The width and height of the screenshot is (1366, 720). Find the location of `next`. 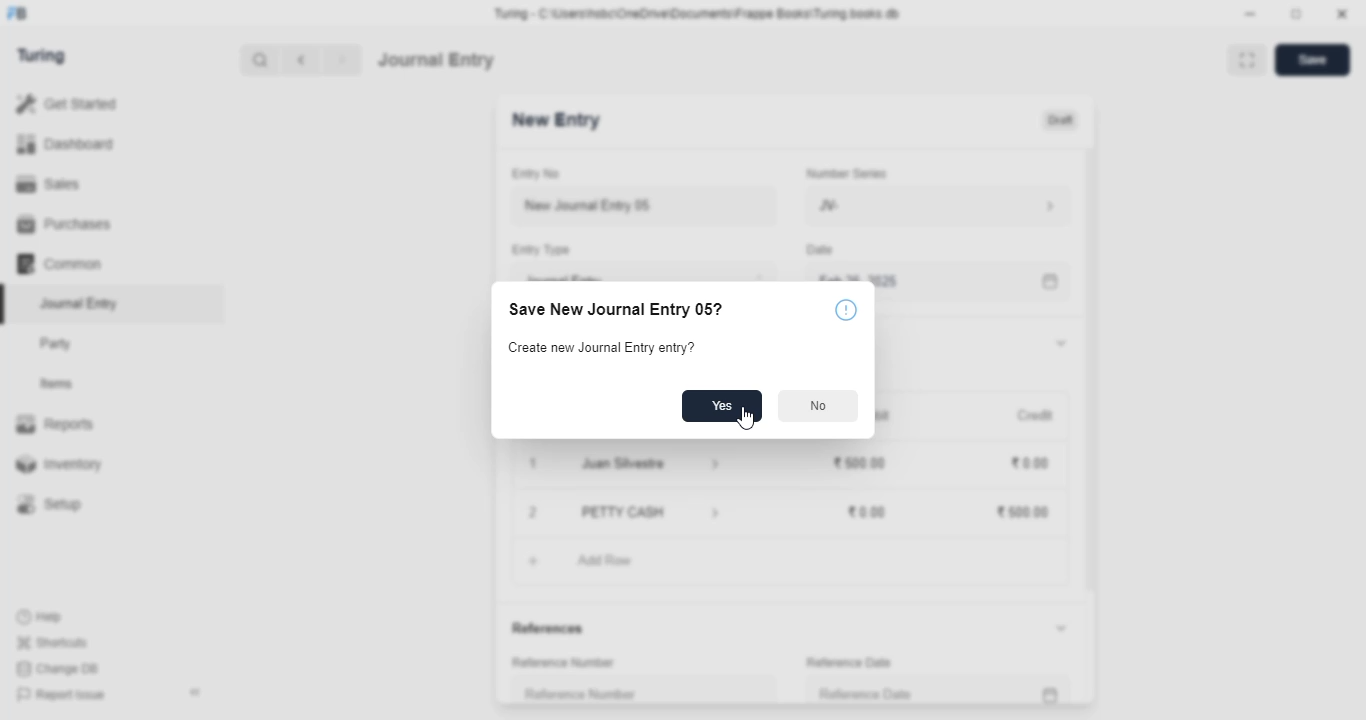

next is located at coordinates (344, 60).